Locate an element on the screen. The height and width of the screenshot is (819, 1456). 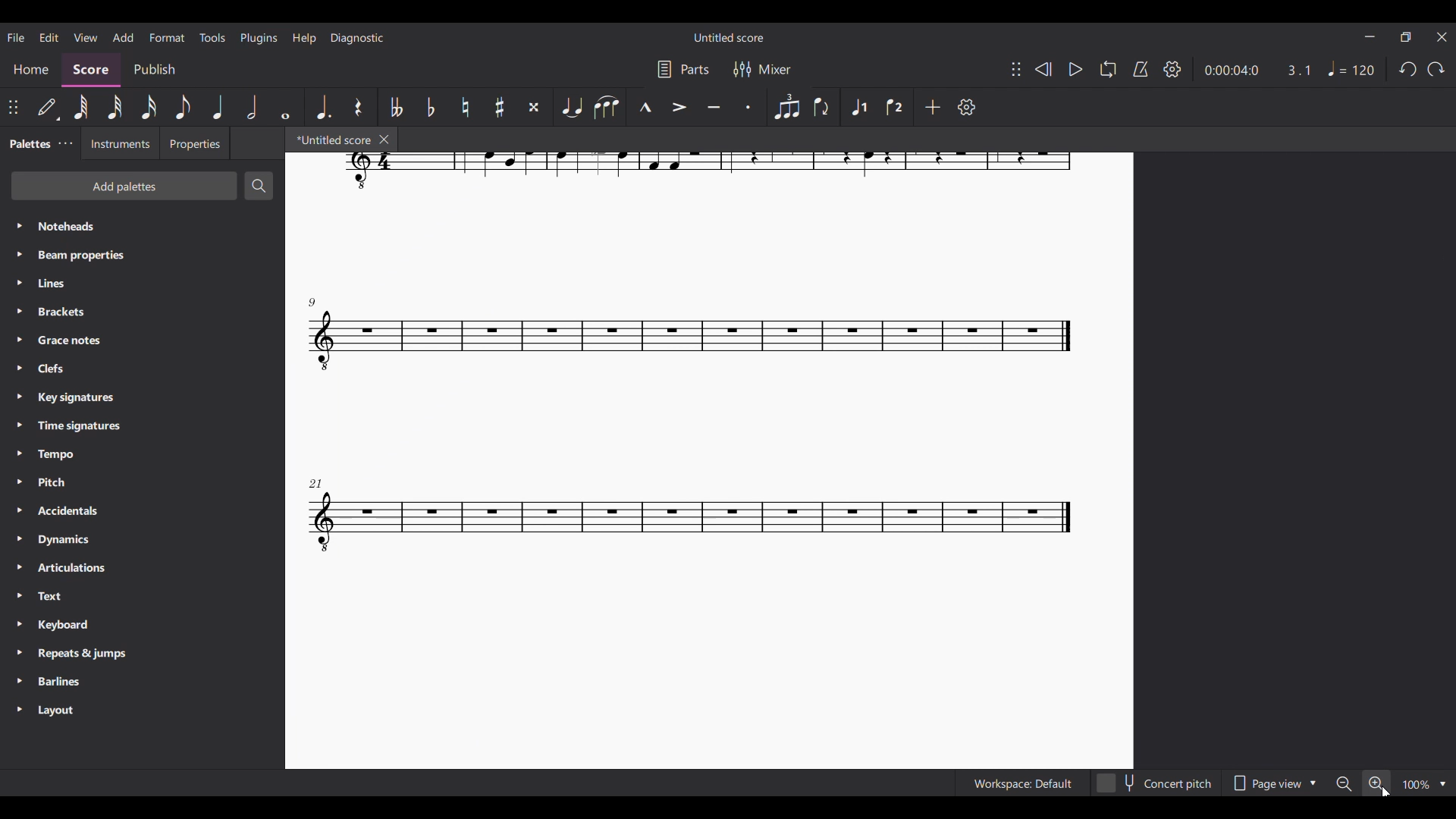
Time signatures is located at coordinates (142, 426).